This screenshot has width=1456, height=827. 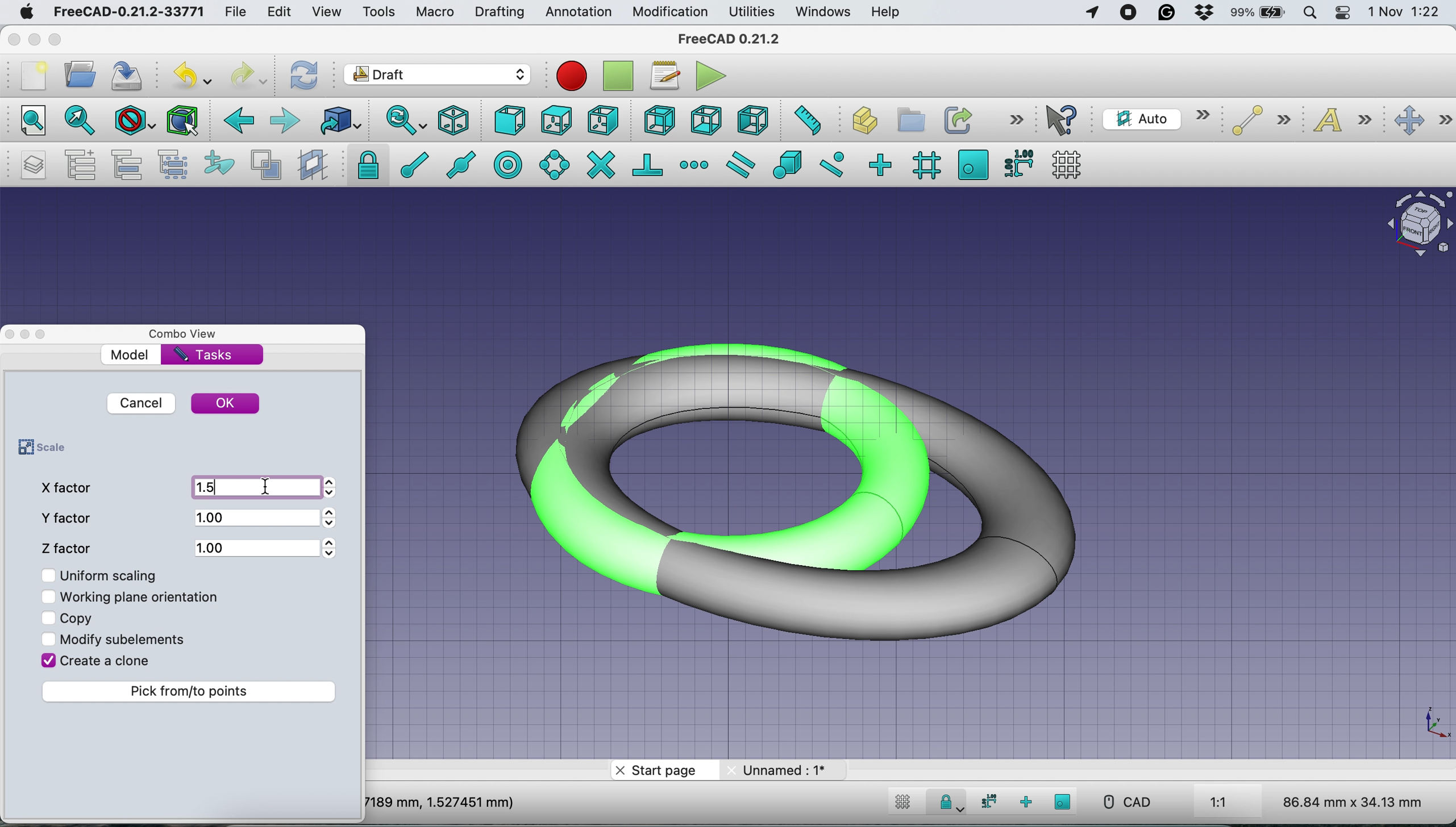 What do you see at coordinates (70, 517) in the screenshot?
I see `y factor` at bounding box center [70, 517].